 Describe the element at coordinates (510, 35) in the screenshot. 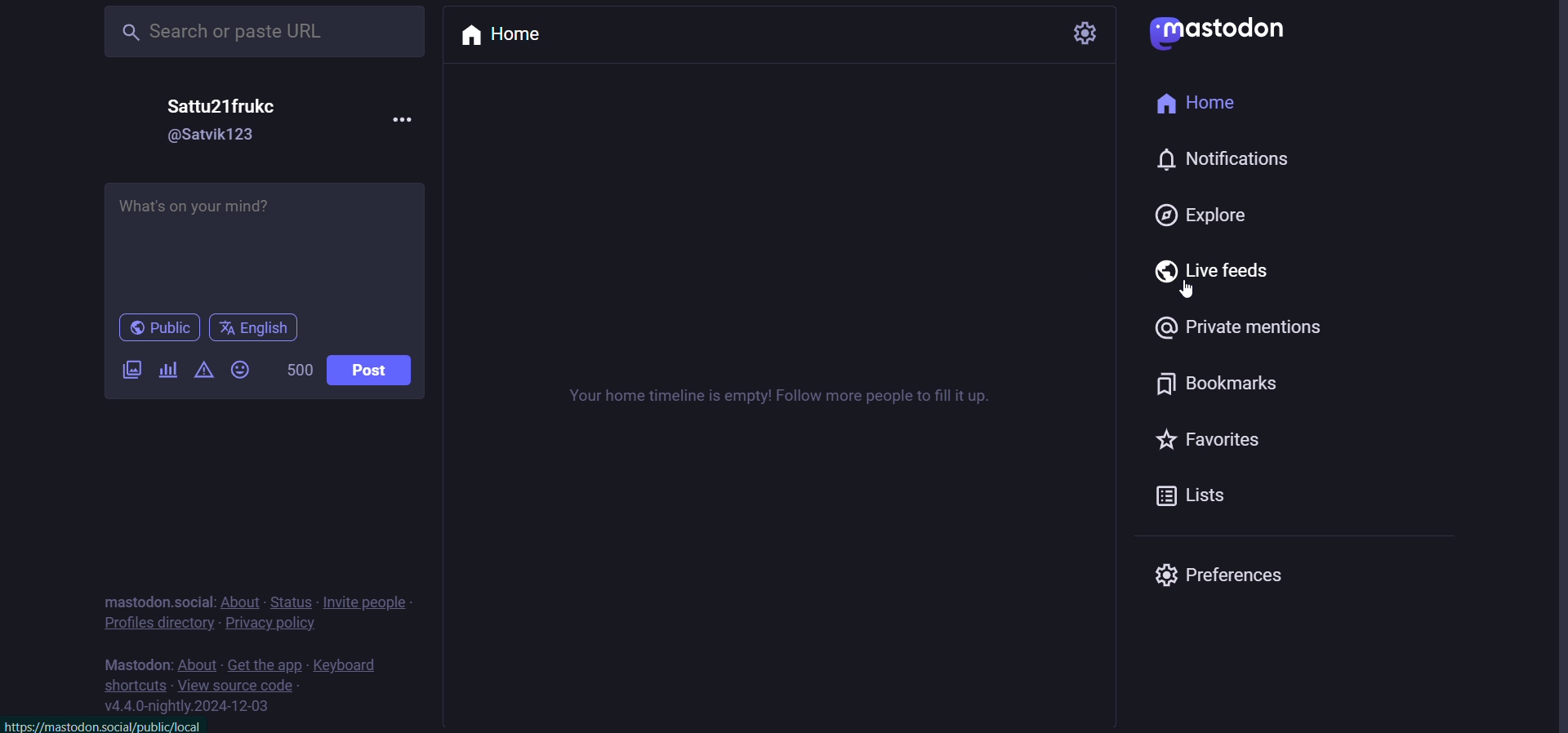

I see `home` at that location.